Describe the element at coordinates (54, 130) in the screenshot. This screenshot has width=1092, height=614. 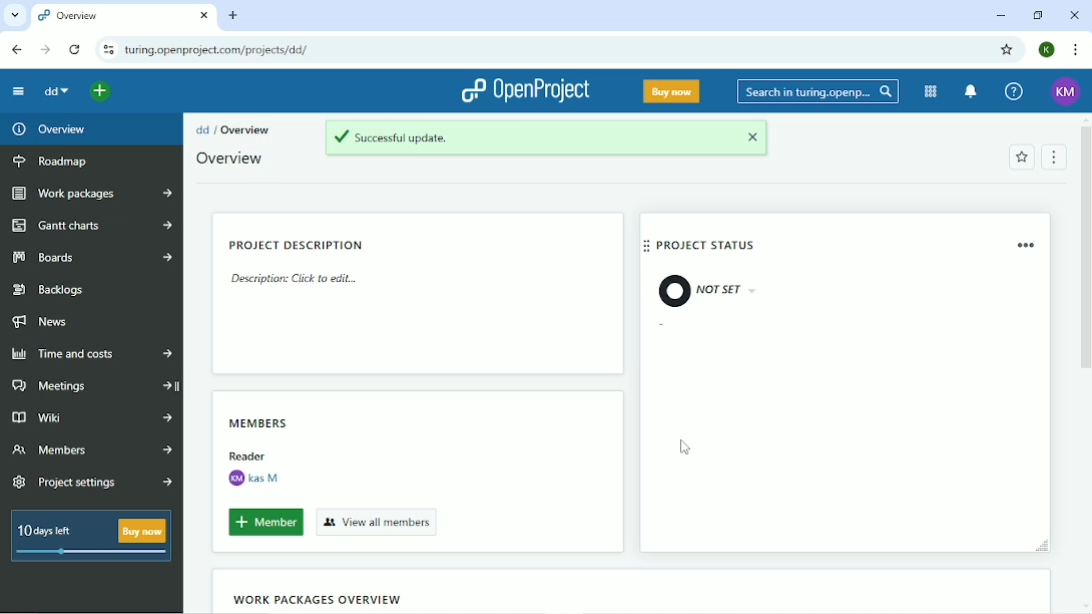
I see `Overview` at that location.